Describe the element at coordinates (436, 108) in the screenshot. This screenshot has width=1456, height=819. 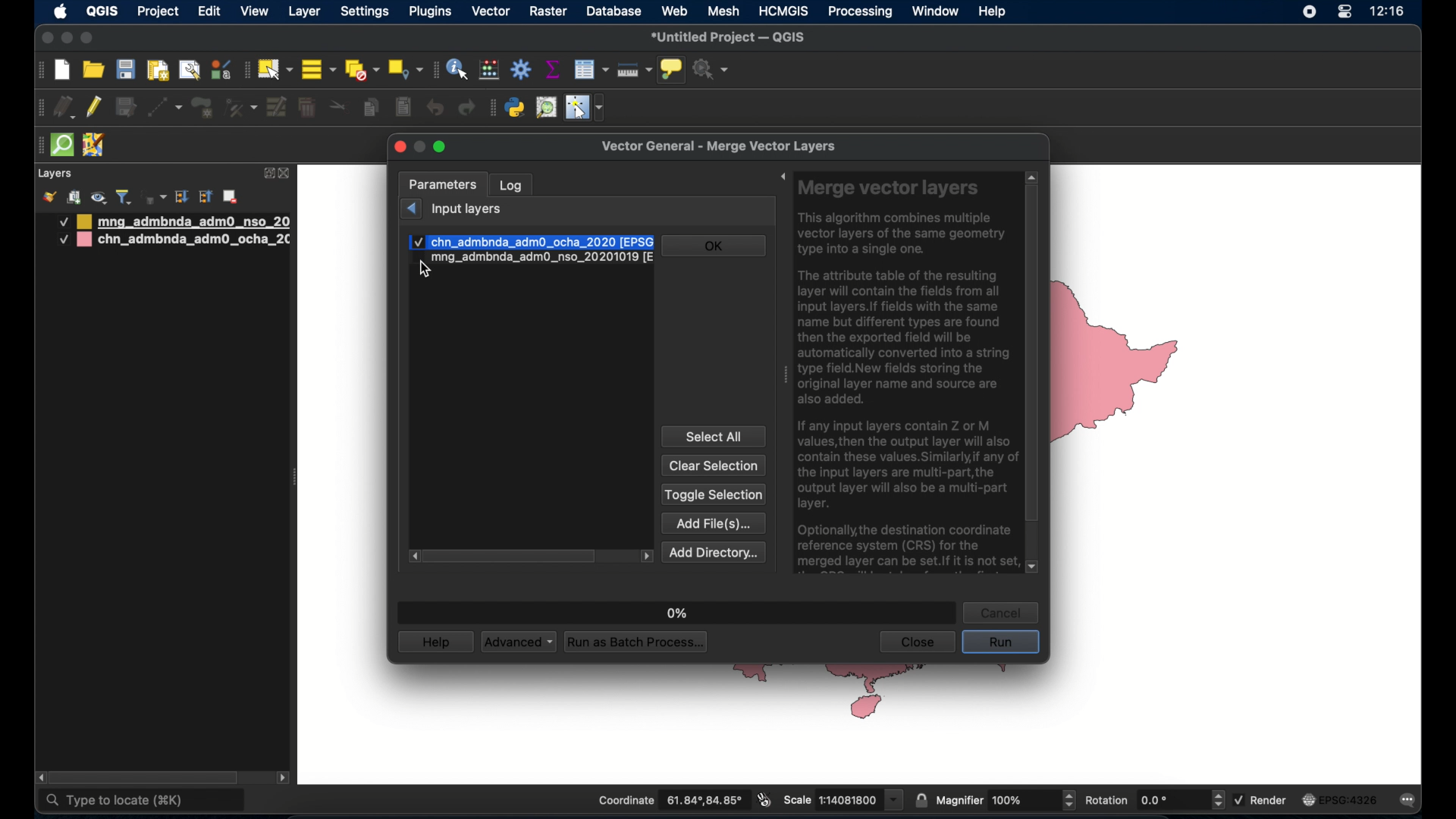
I see `undo` at that location.